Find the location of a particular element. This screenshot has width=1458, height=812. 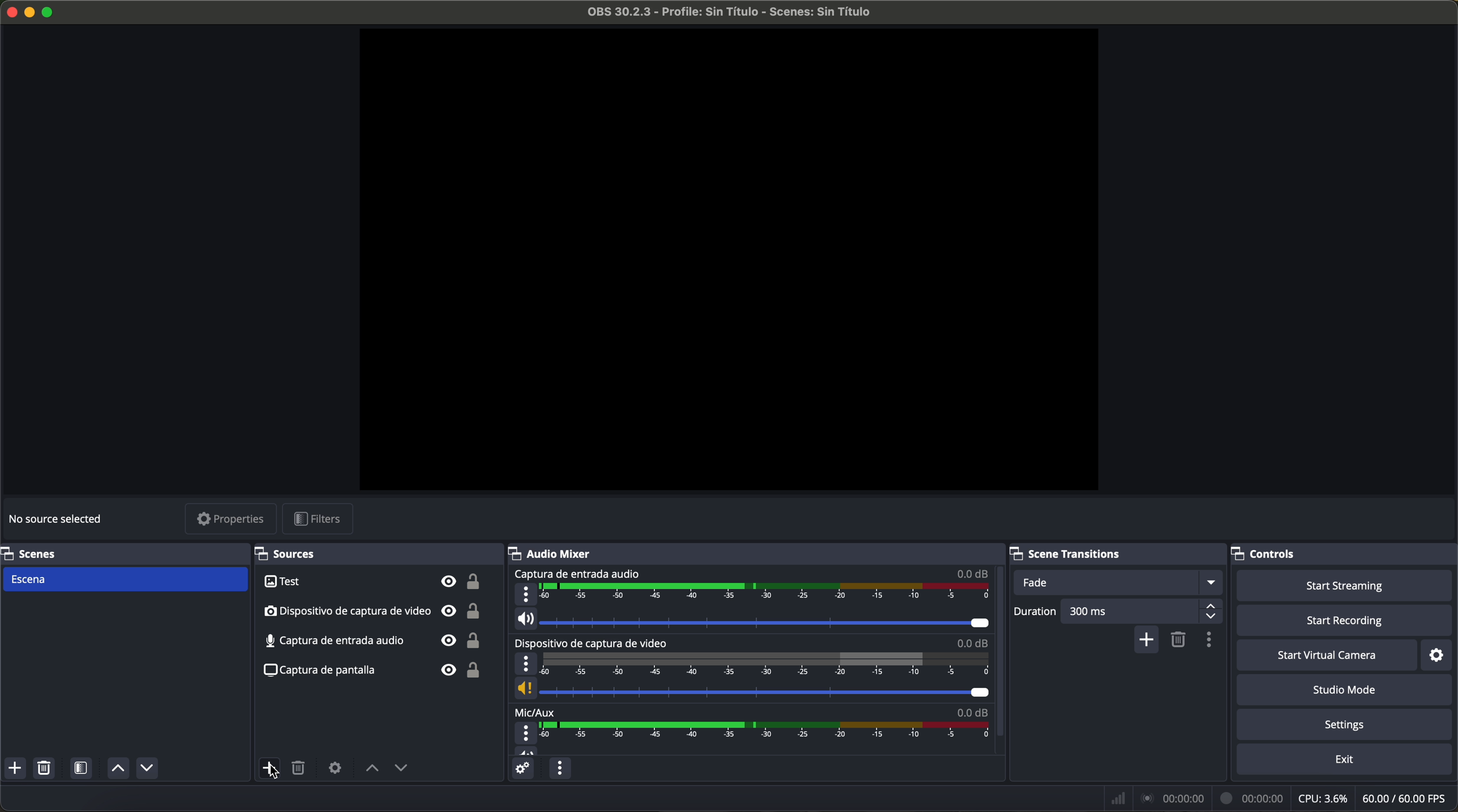

exit is located at coordinates (1348, 760).